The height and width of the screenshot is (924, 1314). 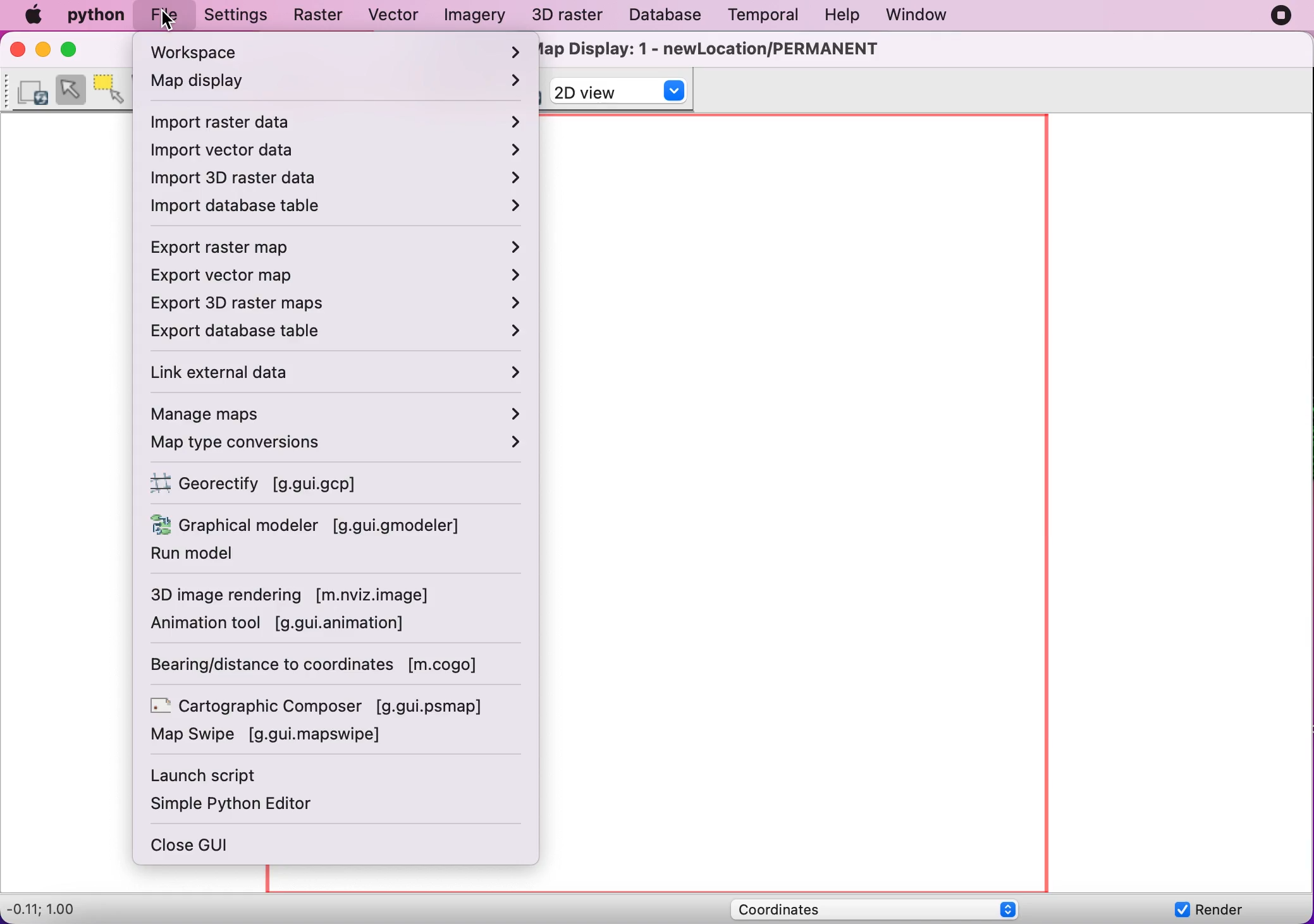 I want to click on launch script, so click(x=212, y=775).